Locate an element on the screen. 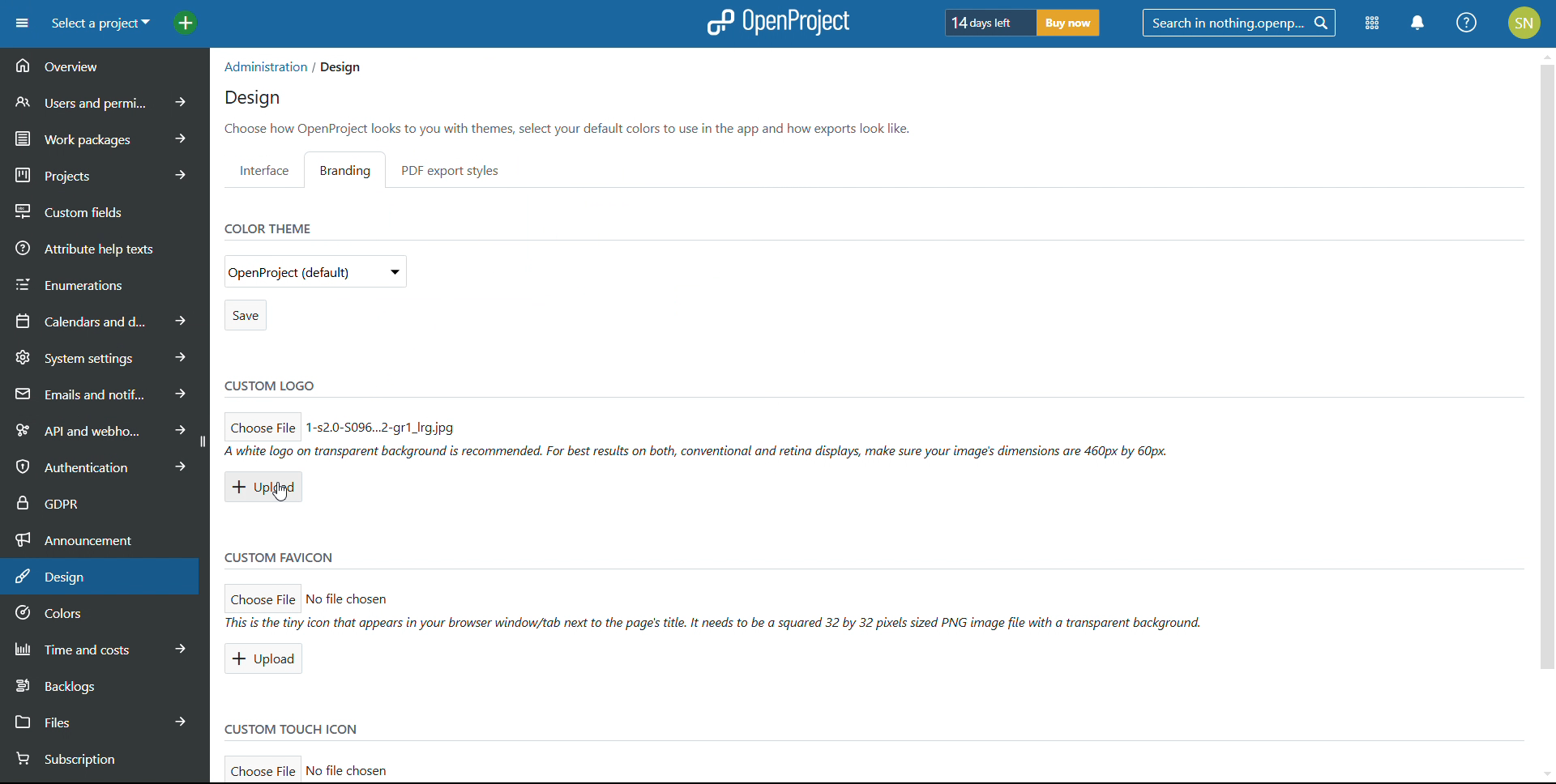  upload is located at coordinates (262, 658).